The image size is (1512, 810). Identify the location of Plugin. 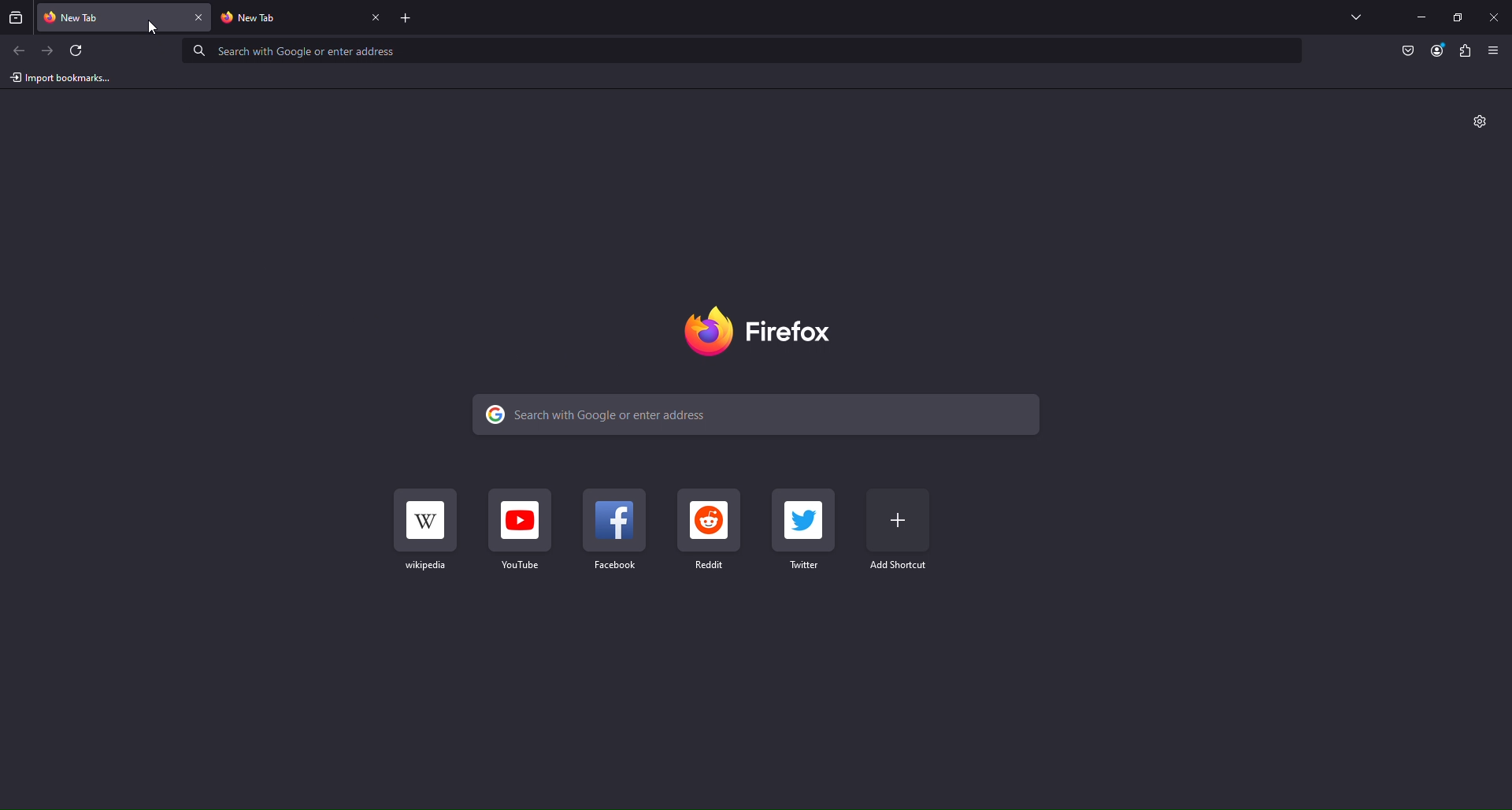
(1467, 51).